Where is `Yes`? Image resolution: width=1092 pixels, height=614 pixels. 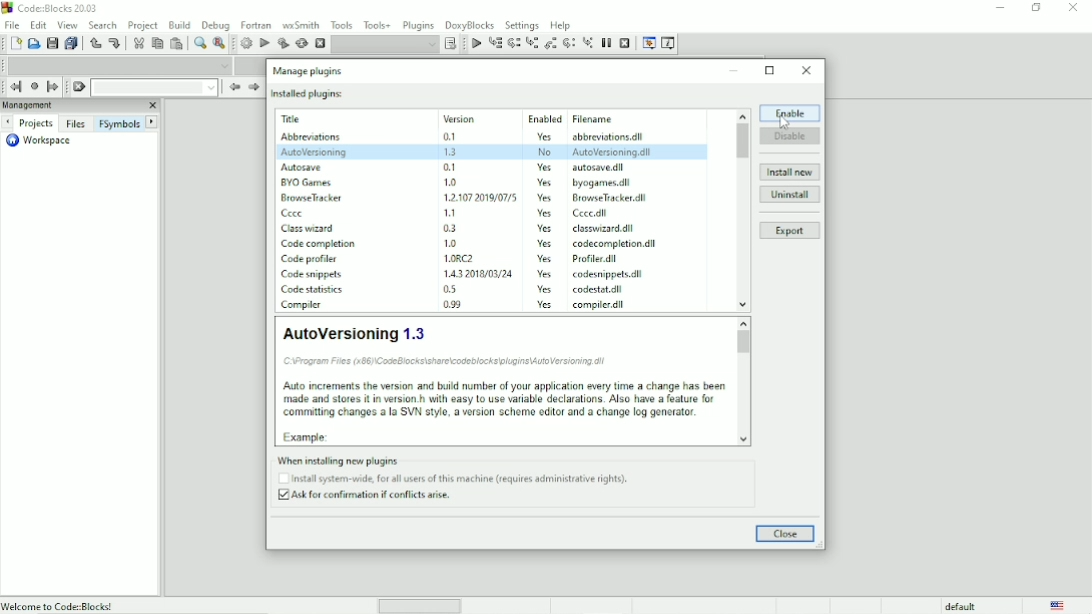
Yes is located at coordinates (544, 136).